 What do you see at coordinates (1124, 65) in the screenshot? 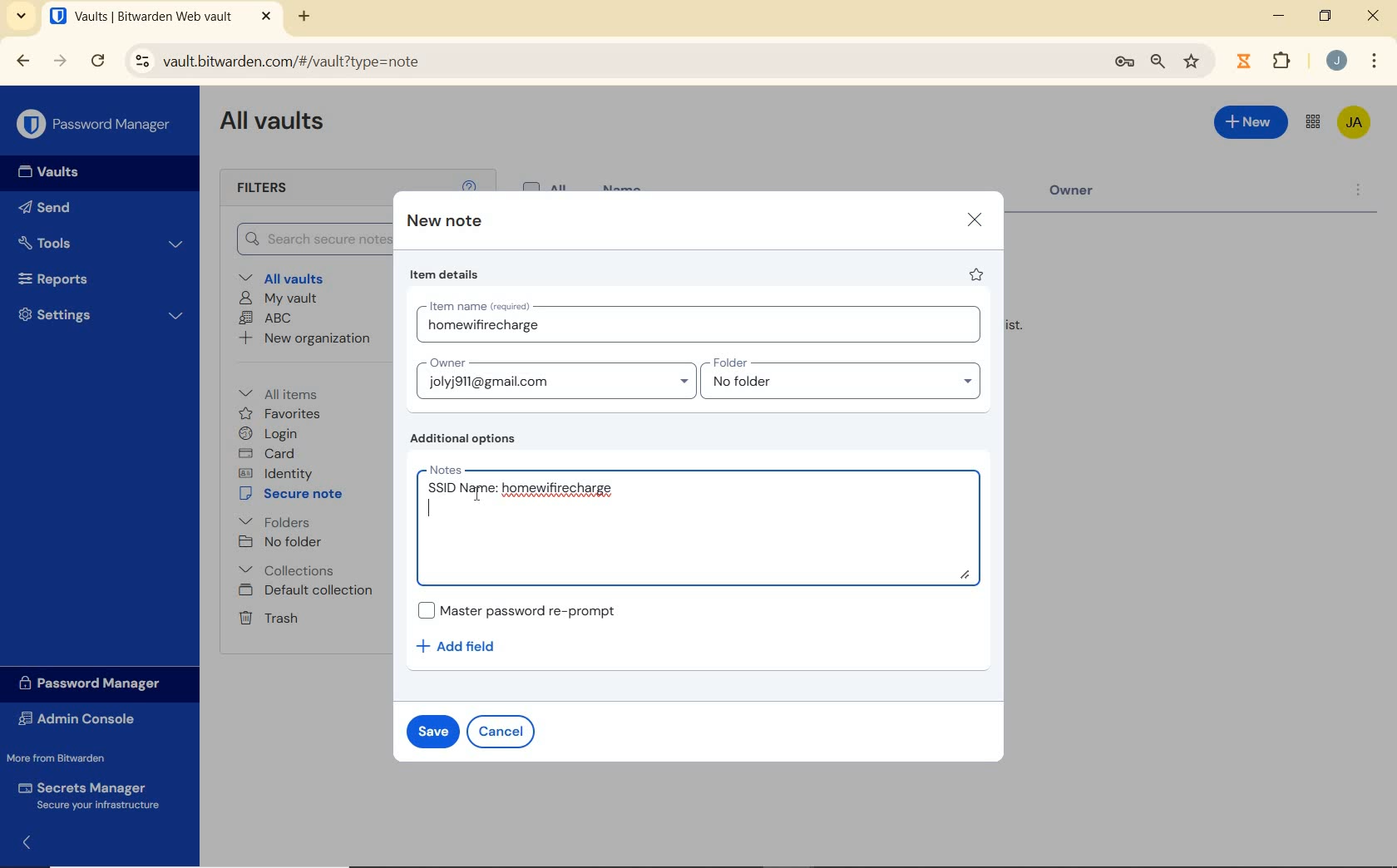
I see `manage passwords` at bounding box center [1124, 65].